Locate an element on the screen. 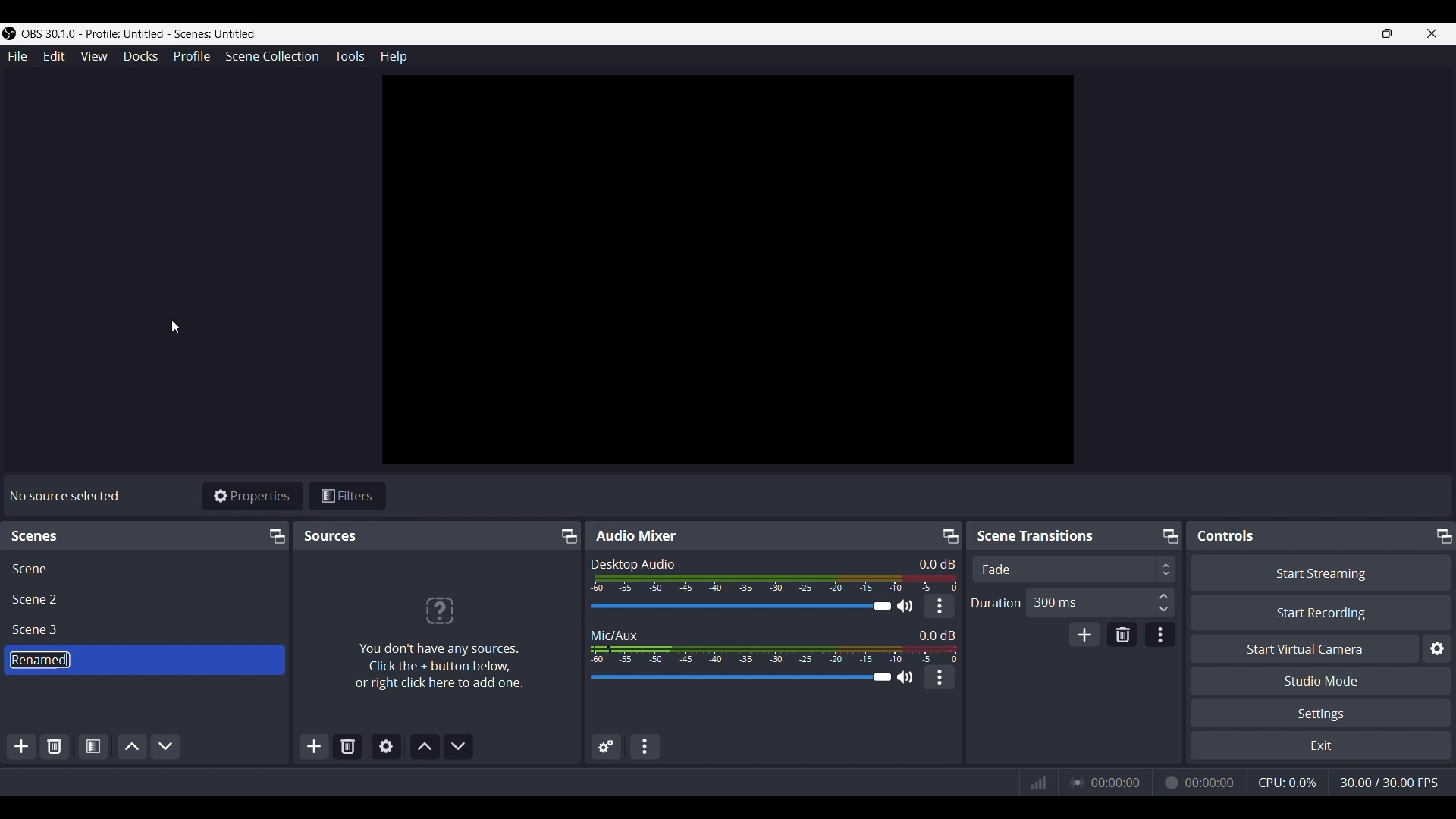 Image resolution: width=1456 pixels, height=819 pixels. Duration Input is located at coordinates (1163, 602).